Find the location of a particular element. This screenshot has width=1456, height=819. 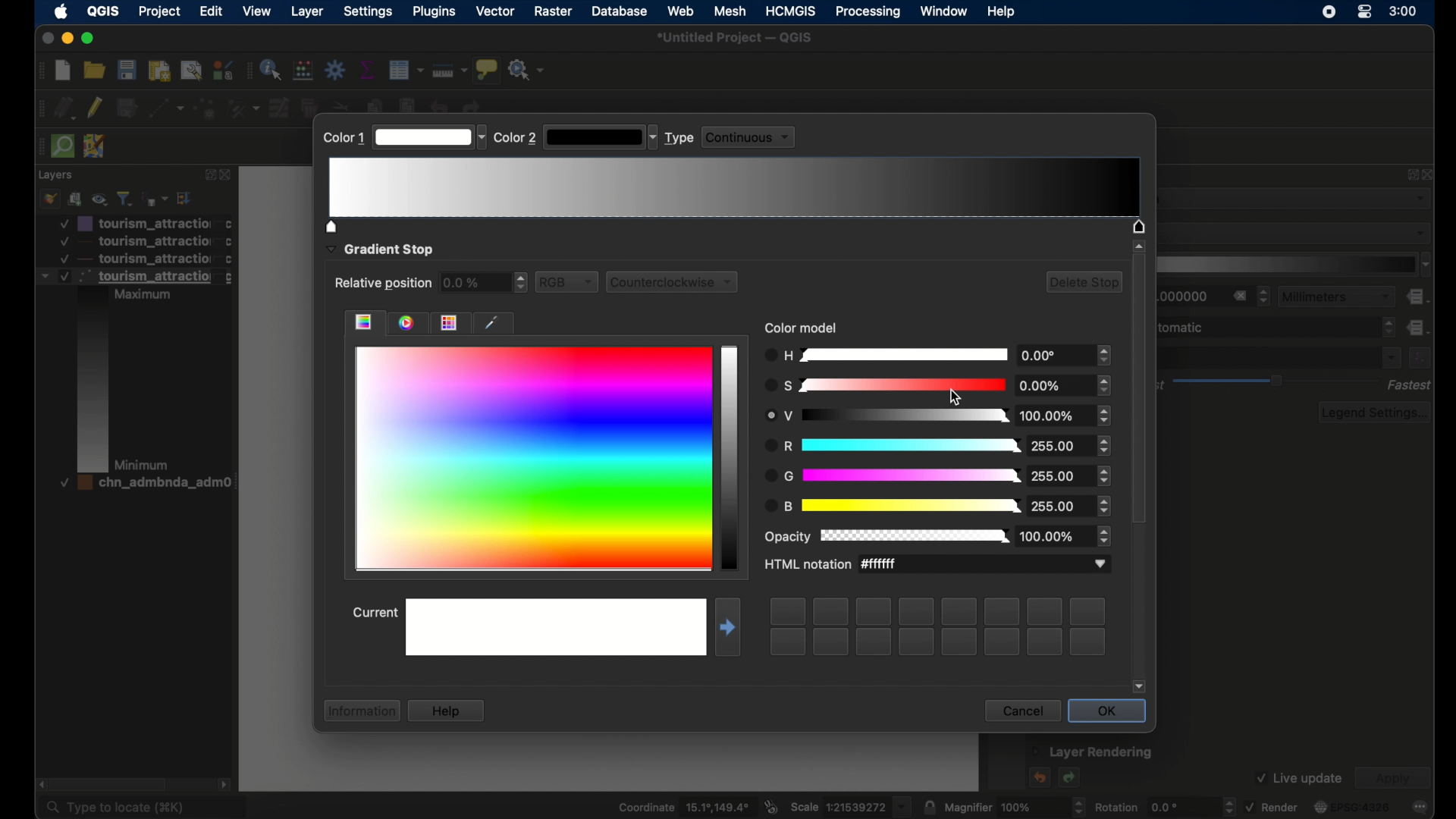

plugins is located at coordinates (435, 13).